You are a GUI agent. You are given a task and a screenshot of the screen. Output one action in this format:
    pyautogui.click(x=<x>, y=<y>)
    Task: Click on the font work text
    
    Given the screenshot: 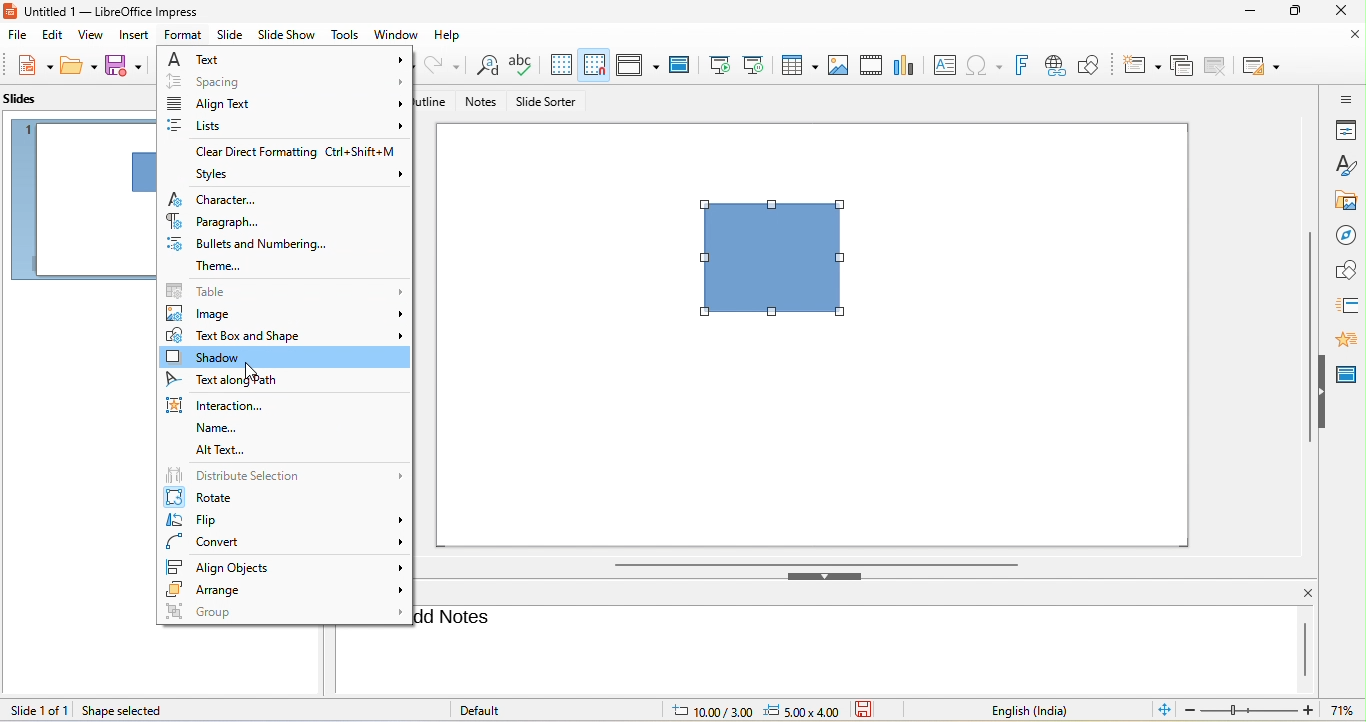 What is the action you would take?
    pyautogui.click(x=1026, y=67)
    